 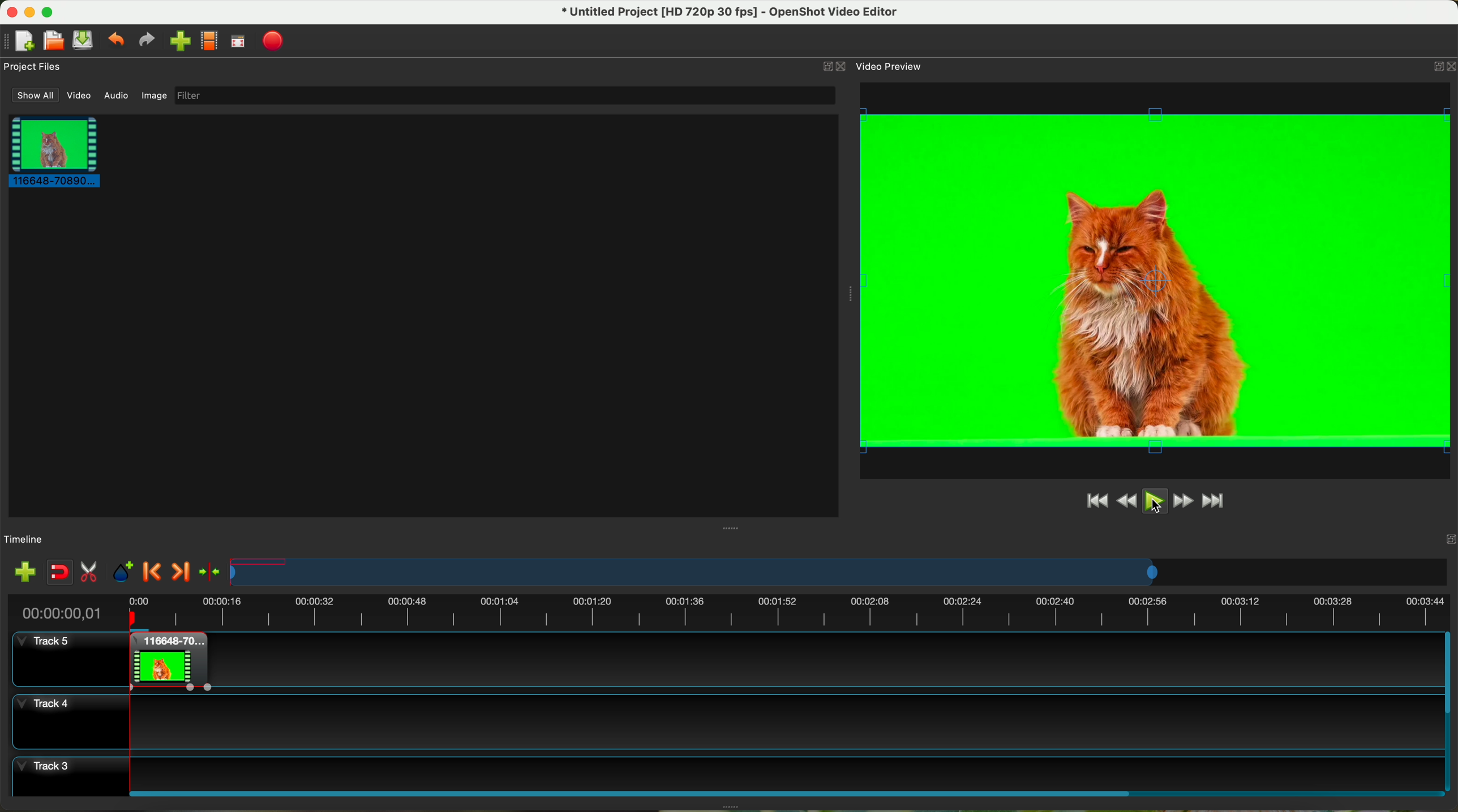 I want to click on track 3, so click(x=726, y=771).